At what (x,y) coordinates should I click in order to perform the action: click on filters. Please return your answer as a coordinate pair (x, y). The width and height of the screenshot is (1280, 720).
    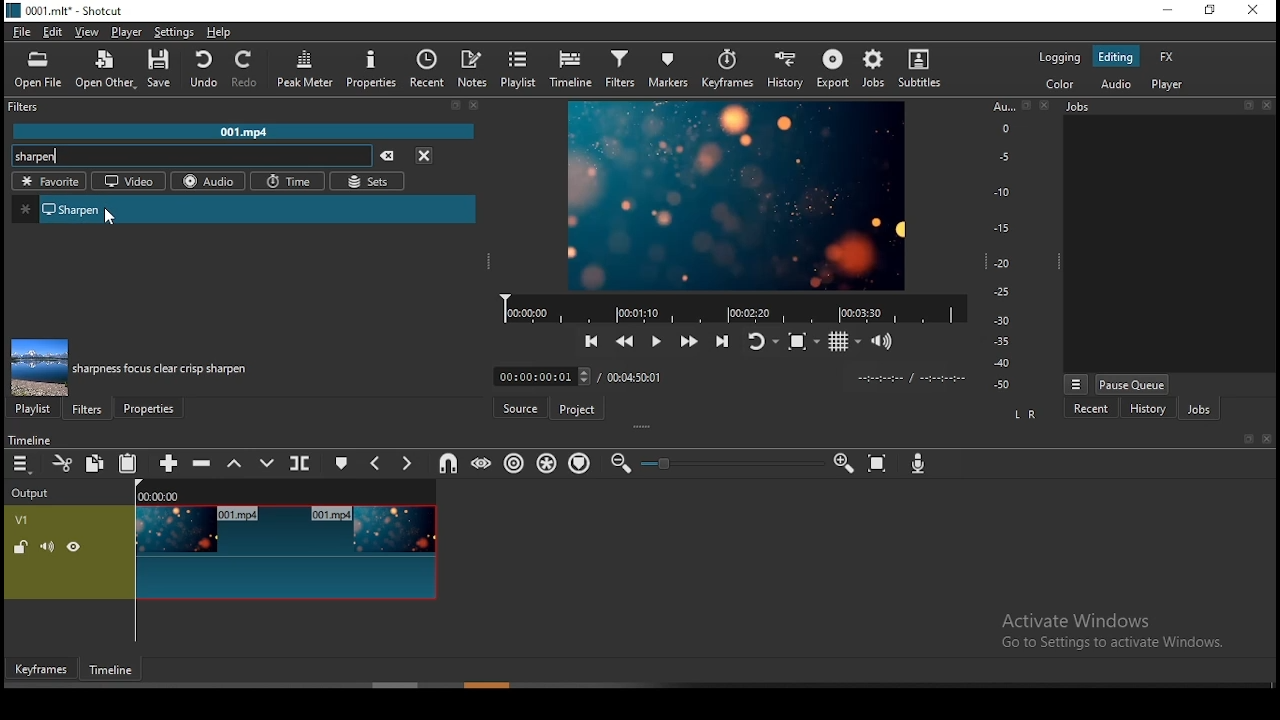
    Looking at the image, I should click on (621, 69).